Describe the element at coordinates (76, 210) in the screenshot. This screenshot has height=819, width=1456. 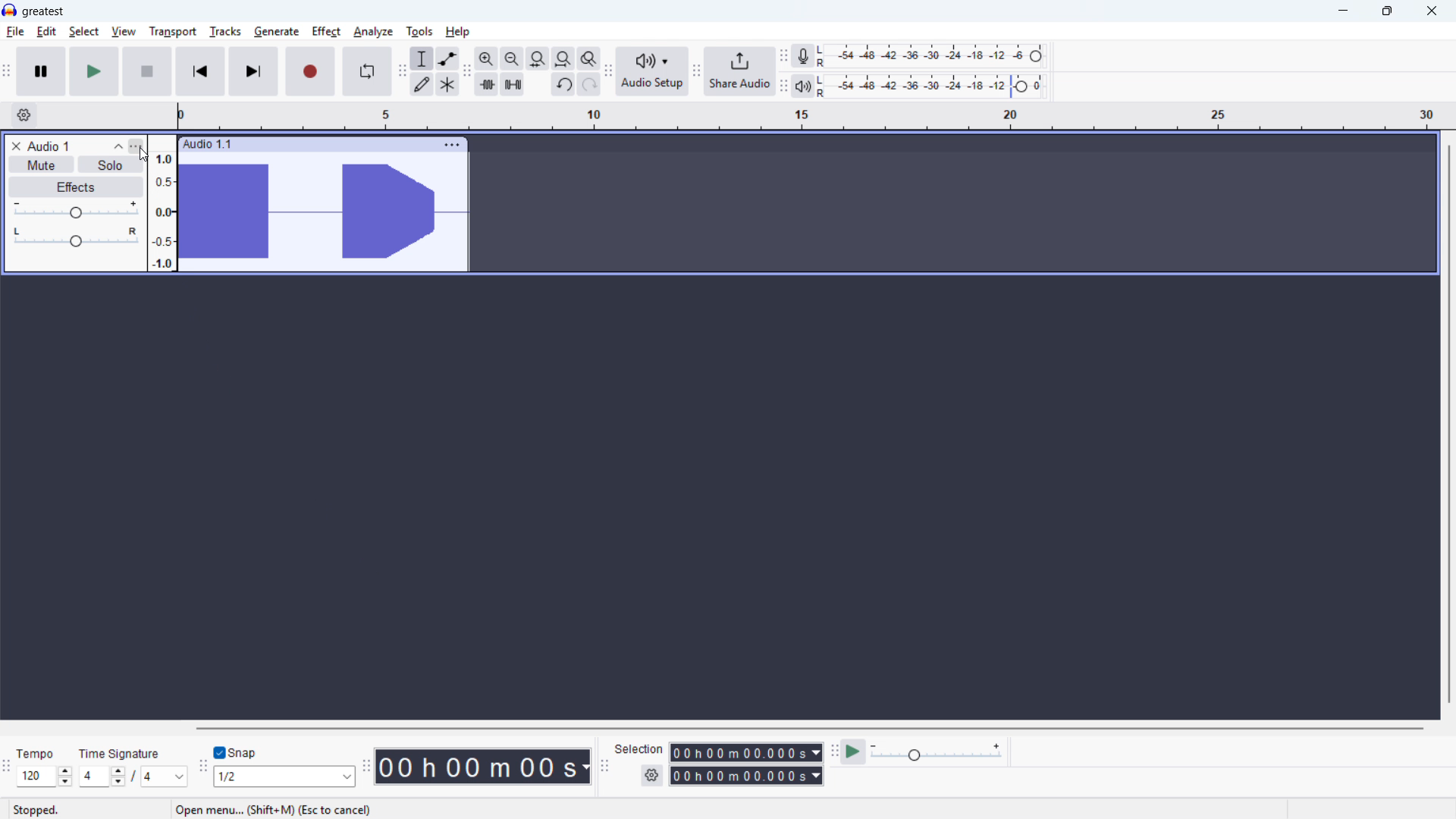
I see `gain` at that location.